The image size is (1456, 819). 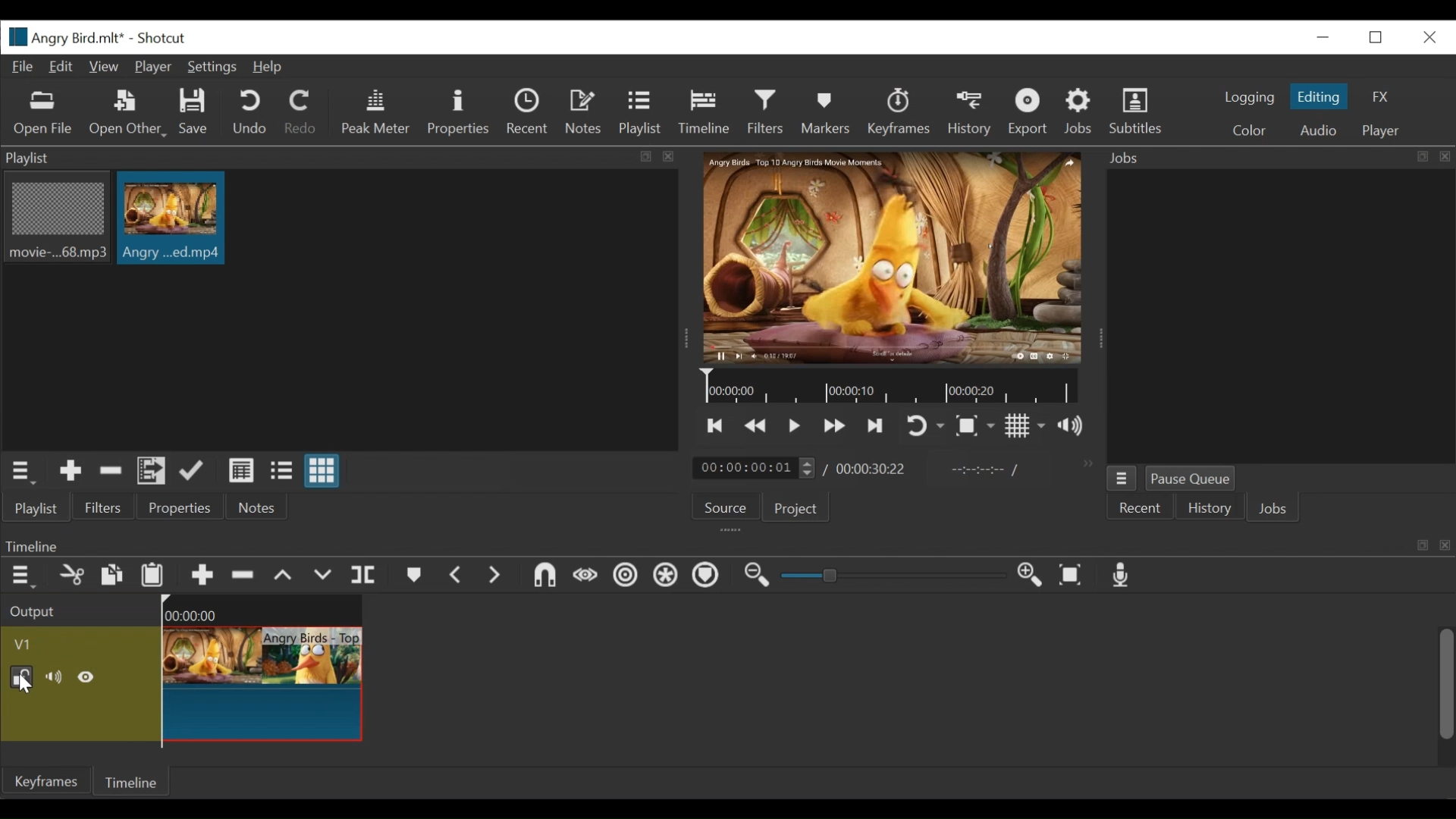 I want to click on Output, so click(x=78, y=609).